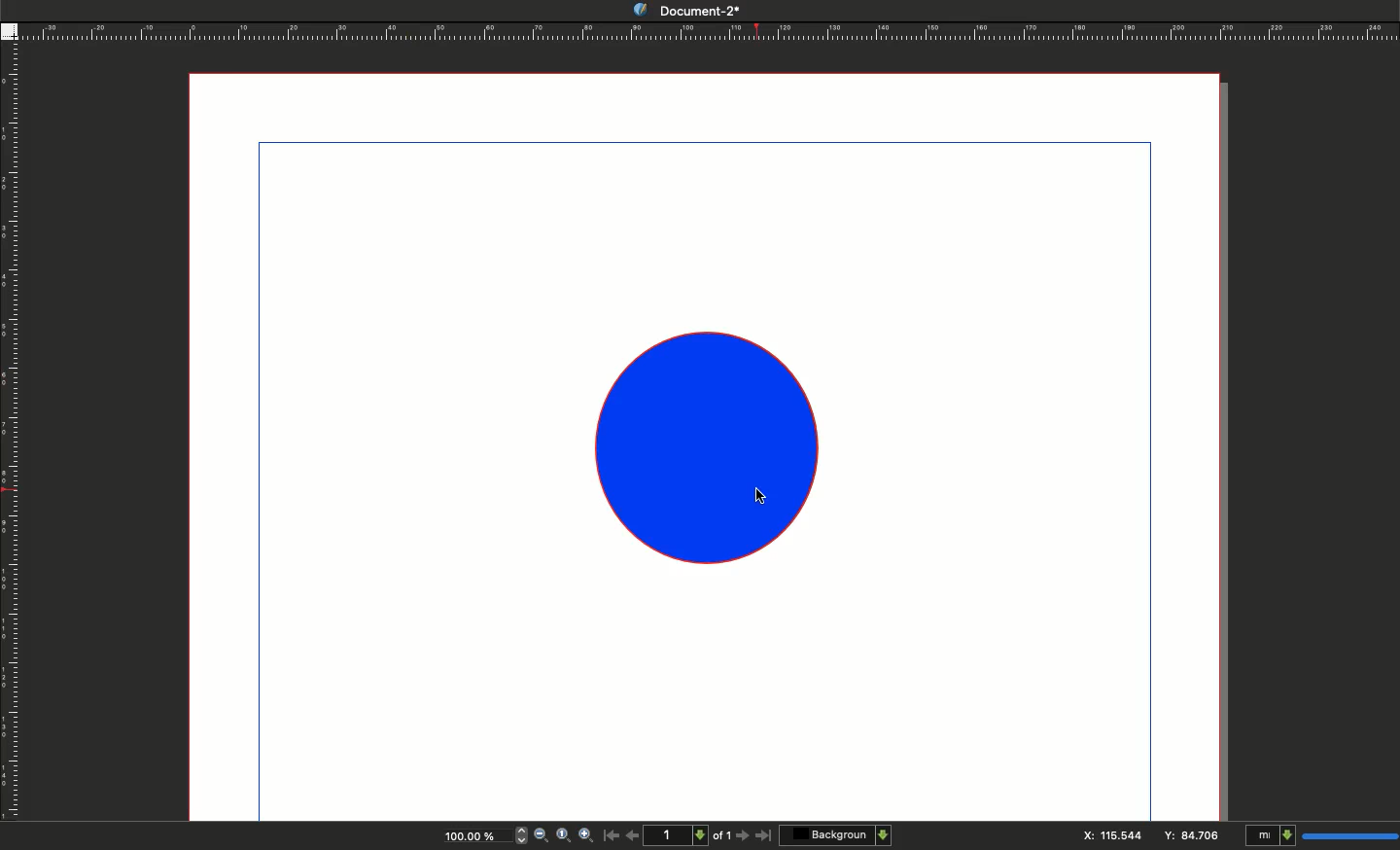 The height and width of the screenshot is (850, 1400). What do you see at coordinates (541, 836) in the screenshot?
I see `Zoom out` at bounding box center [541, 836].